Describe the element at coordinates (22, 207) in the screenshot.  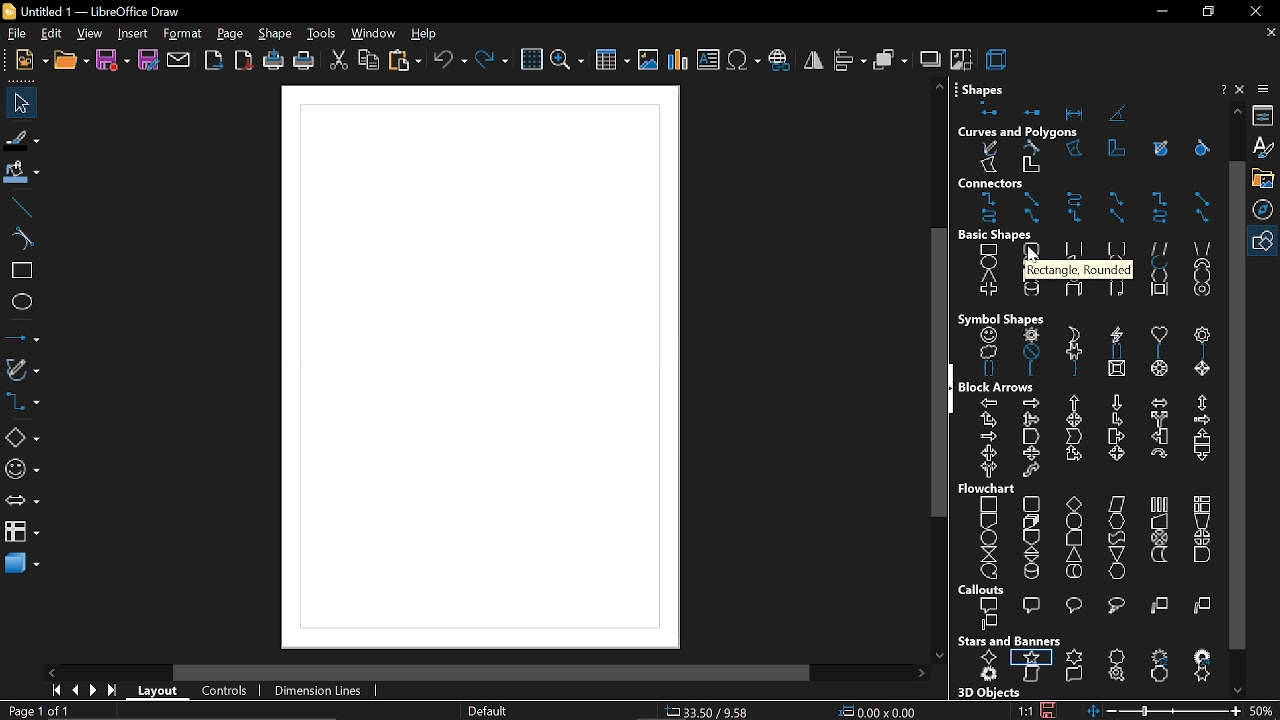
I see `line` at that location.